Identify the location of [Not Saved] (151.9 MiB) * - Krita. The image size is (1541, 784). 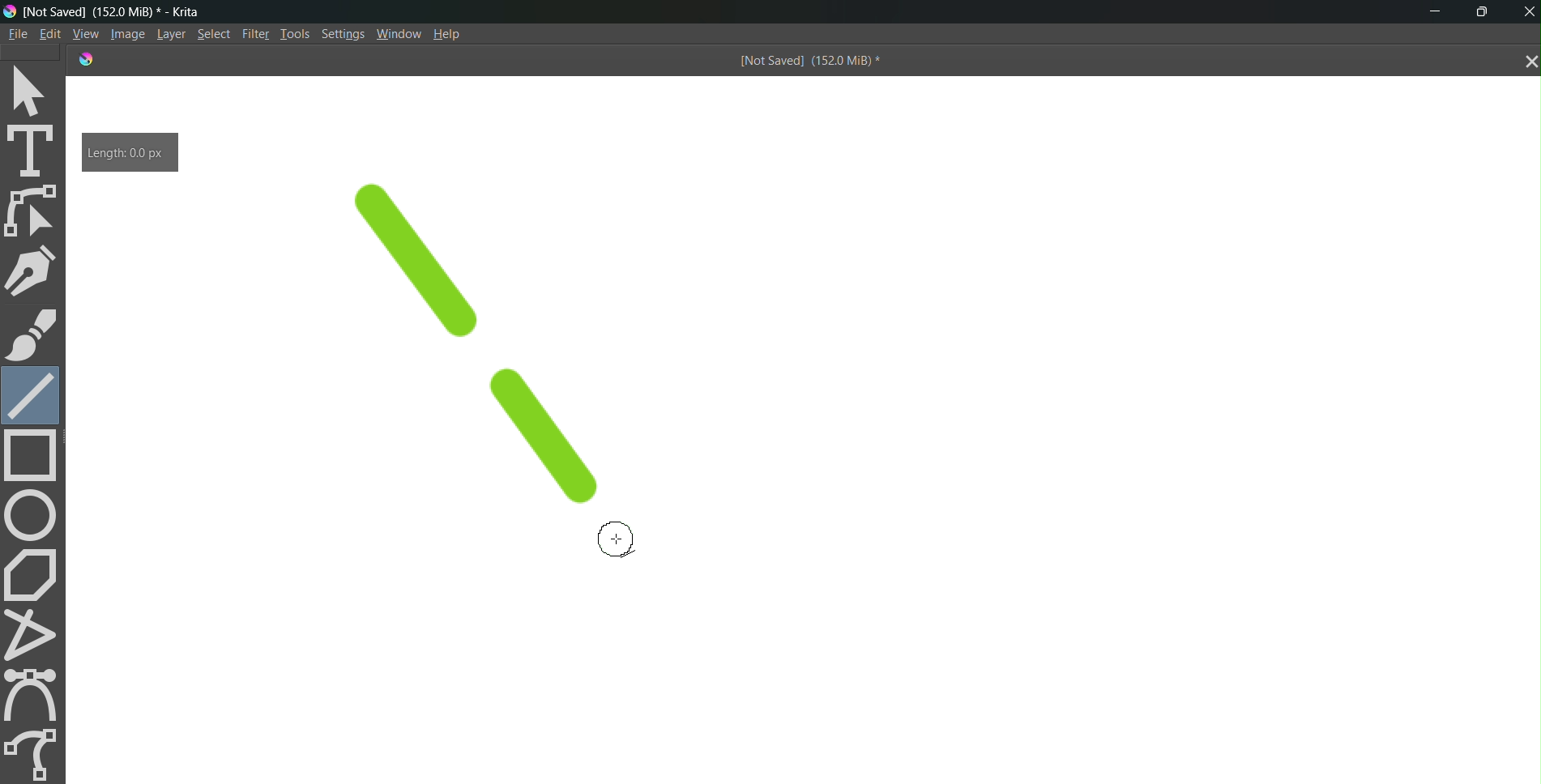
(122, 11).